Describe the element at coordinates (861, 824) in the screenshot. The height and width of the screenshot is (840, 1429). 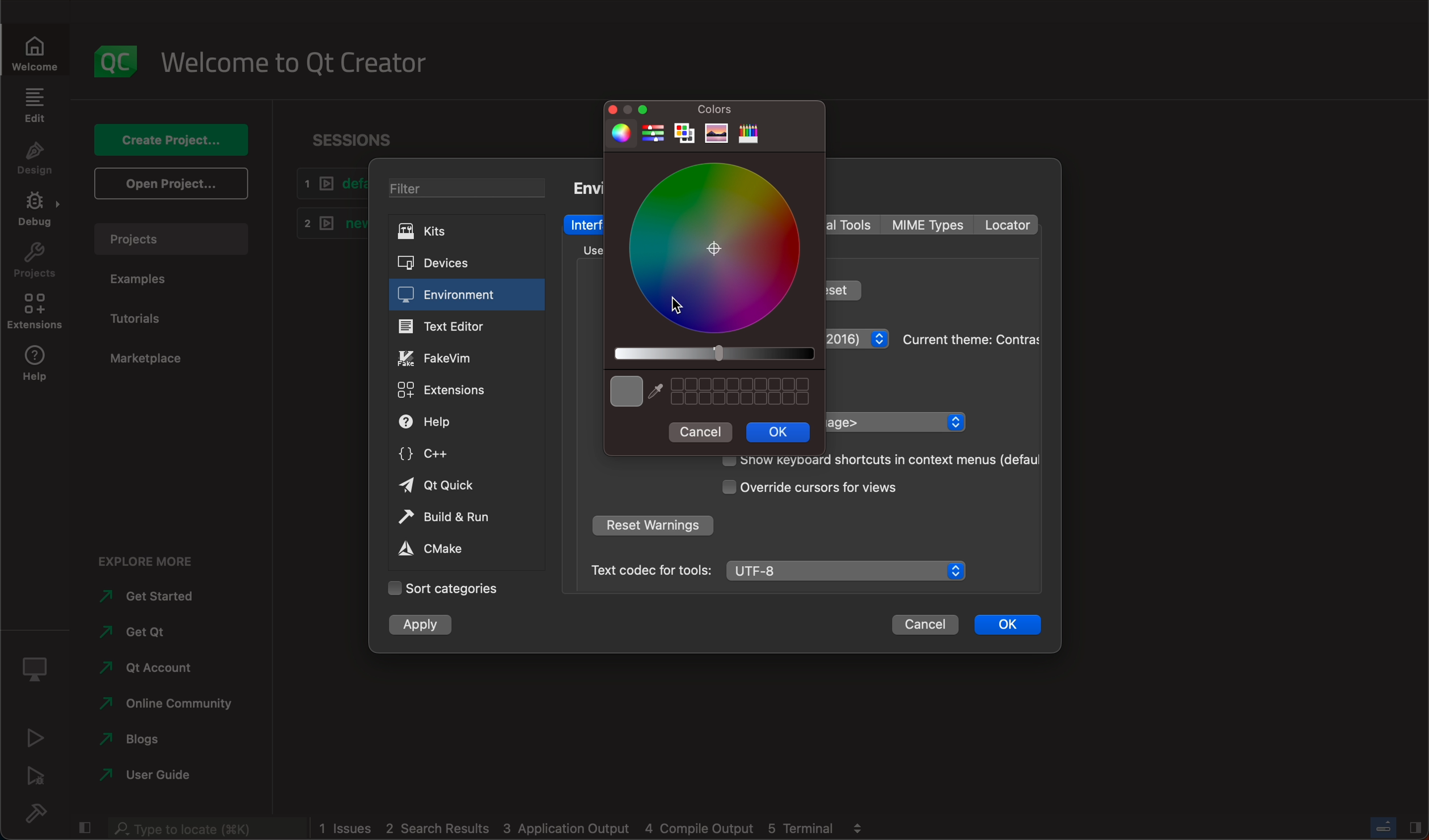
I see `view output` at that location.